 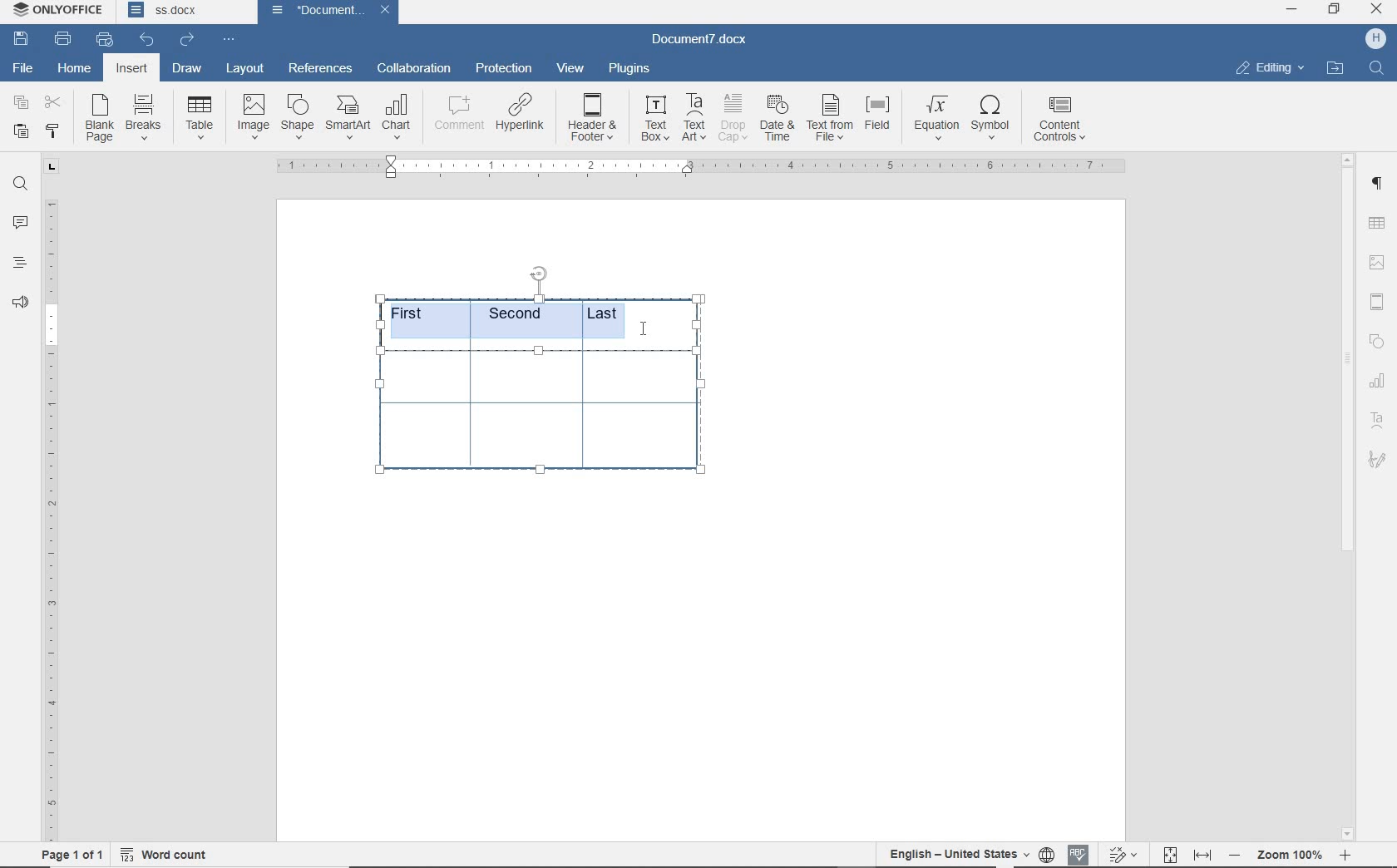 I want to click on references, so click(x=320, y=66).